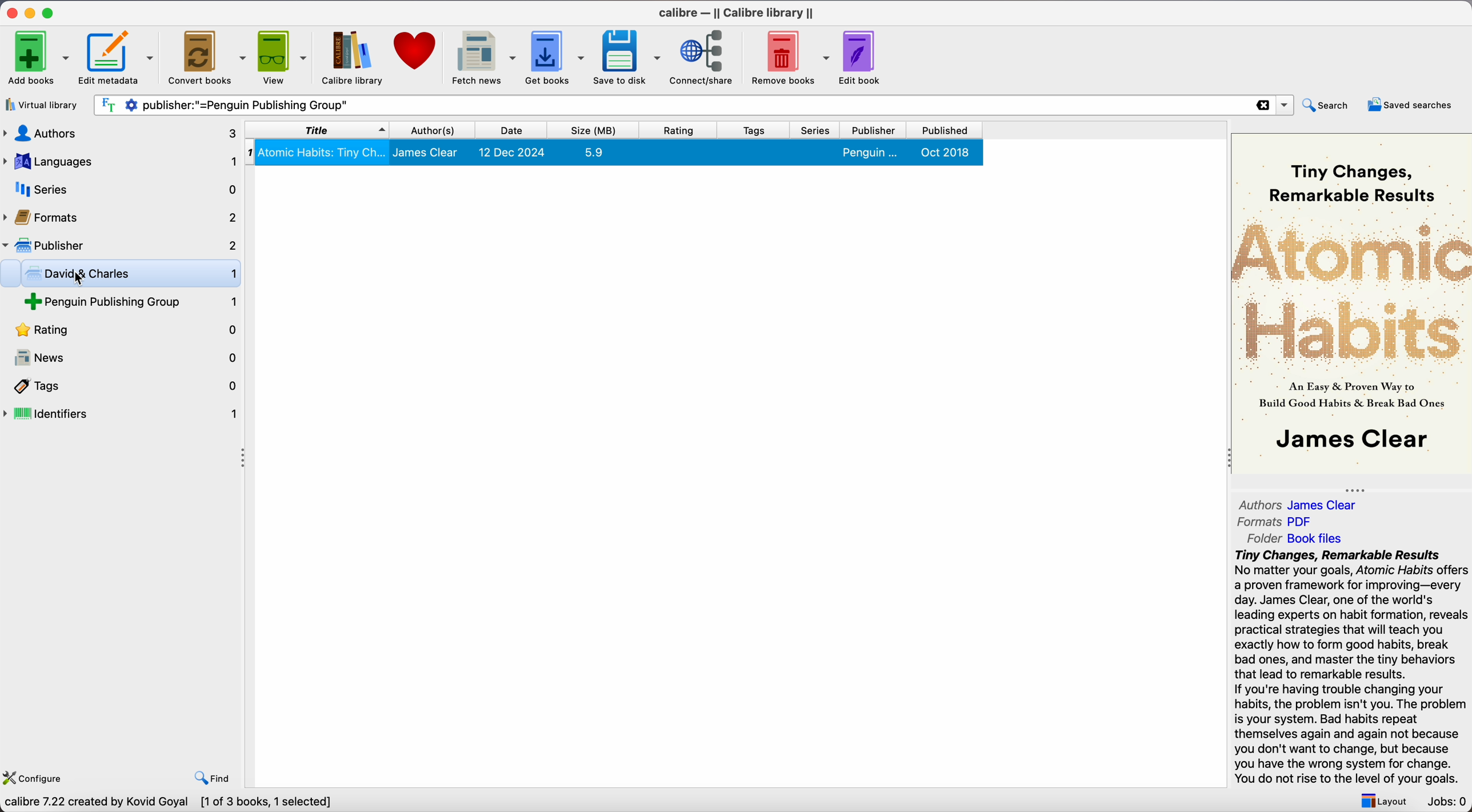  Describe the element at coordinates (557, 57) in the screenshot. I see `get books` at that location.